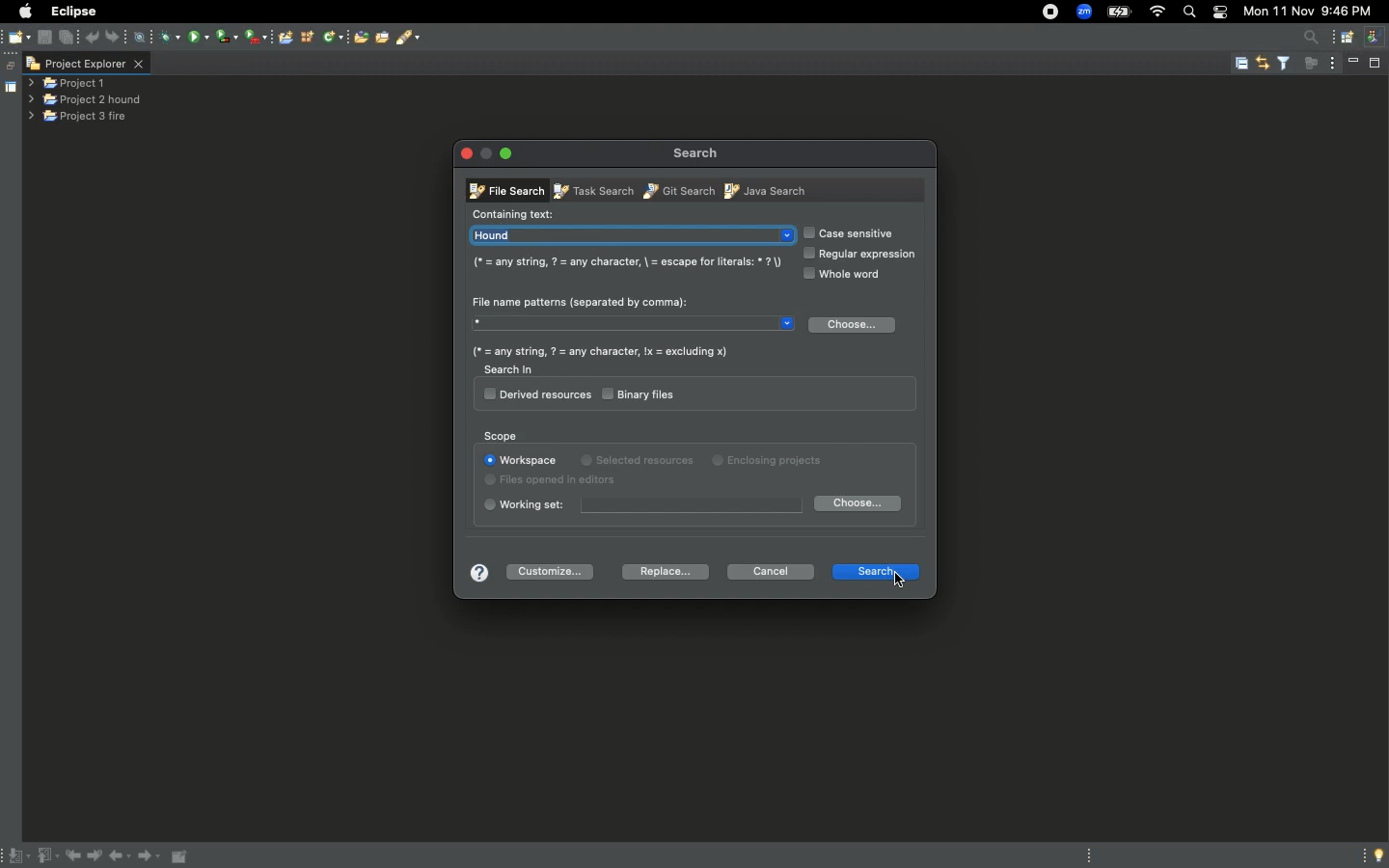  Describe the element at coordinates (308, 37) in the screenshot. I see `new java type` at that location.